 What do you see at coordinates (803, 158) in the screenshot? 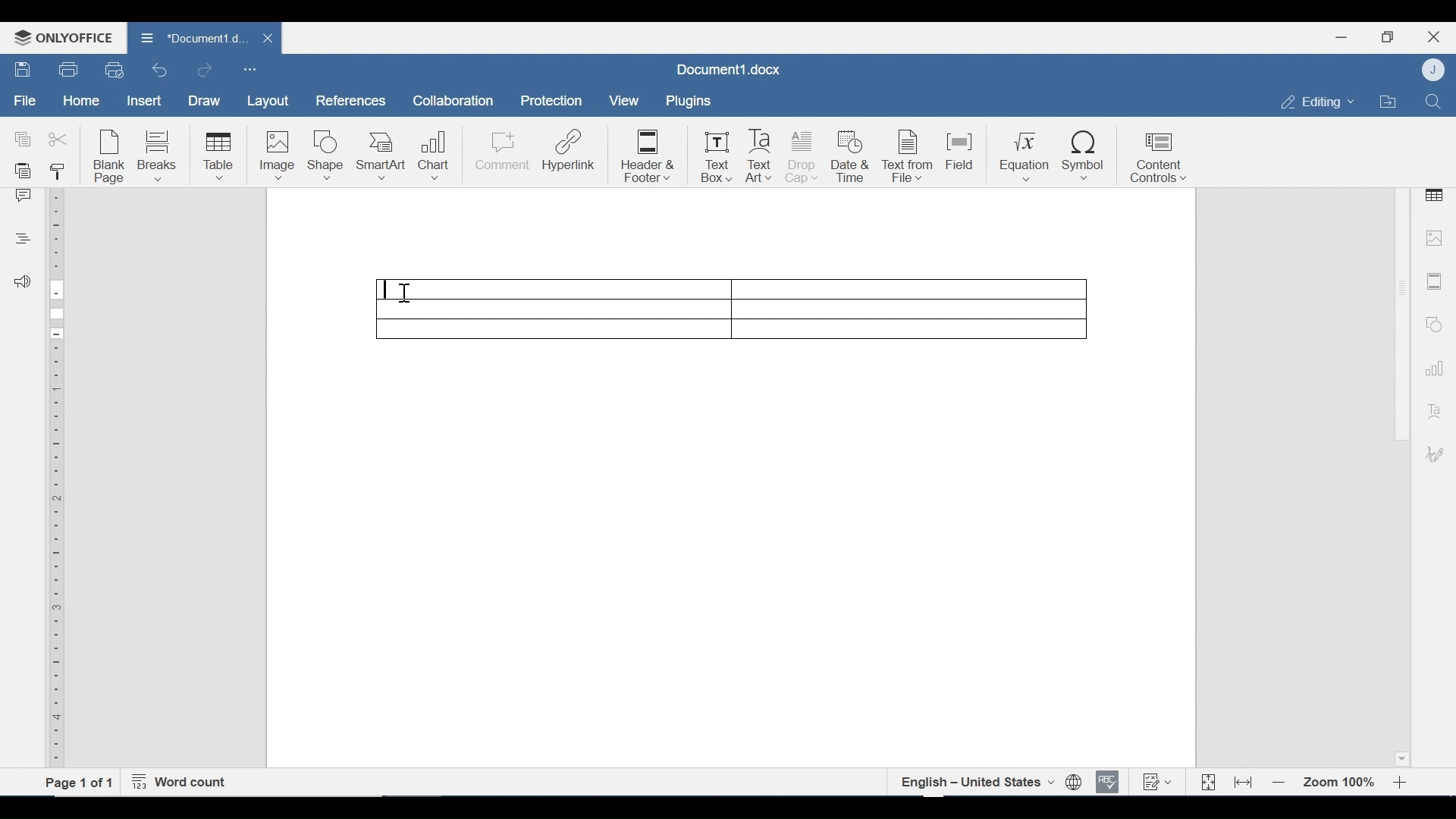
I see `Drop Cap` at bounding box center [803, 158].